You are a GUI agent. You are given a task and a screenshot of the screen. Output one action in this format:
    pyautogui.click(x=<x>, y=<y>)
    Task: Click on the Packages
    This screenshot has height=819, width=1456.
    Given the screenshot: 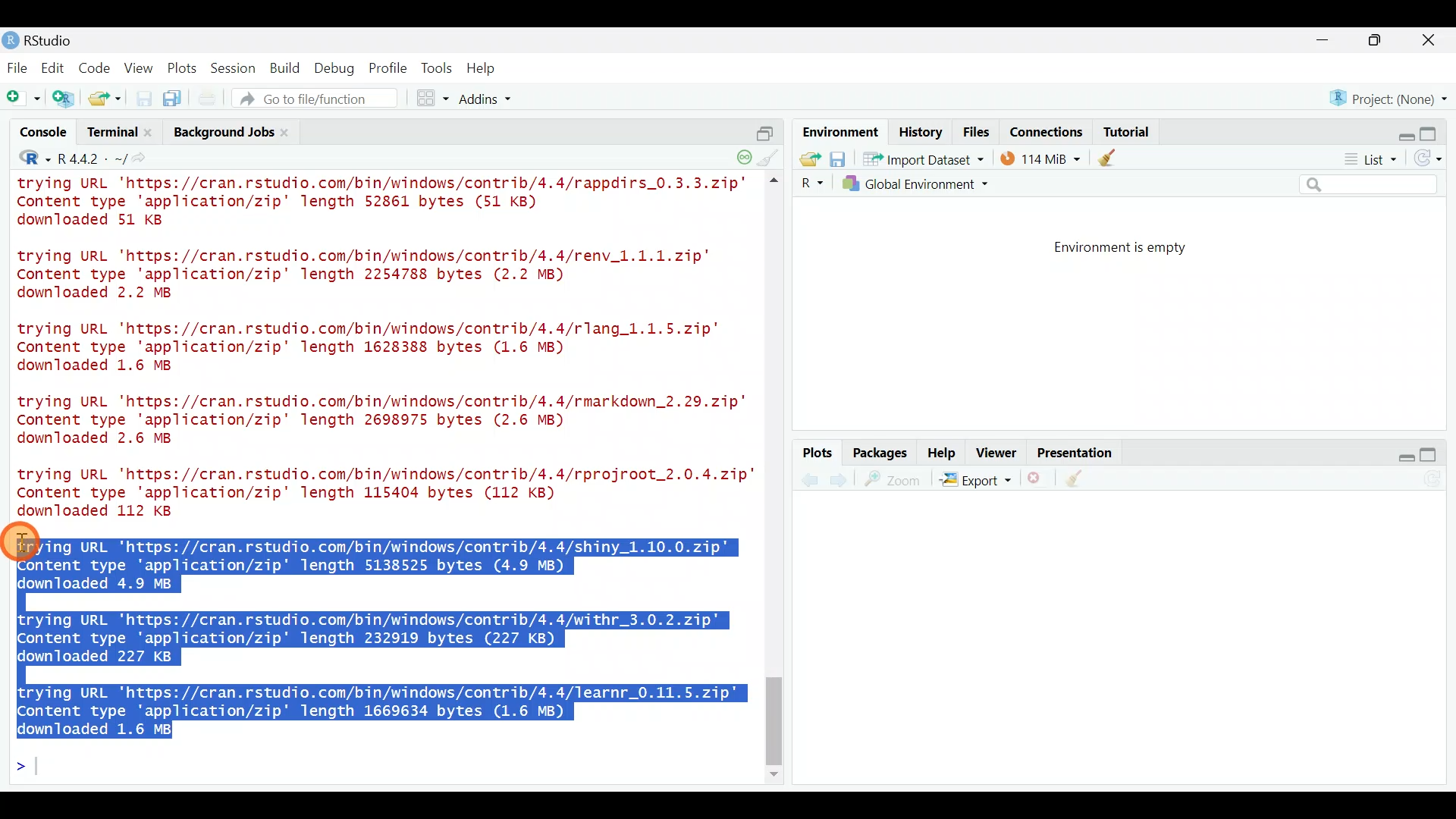 What is the action you would take?
    pyautogui.click(x=879, y=452)
    